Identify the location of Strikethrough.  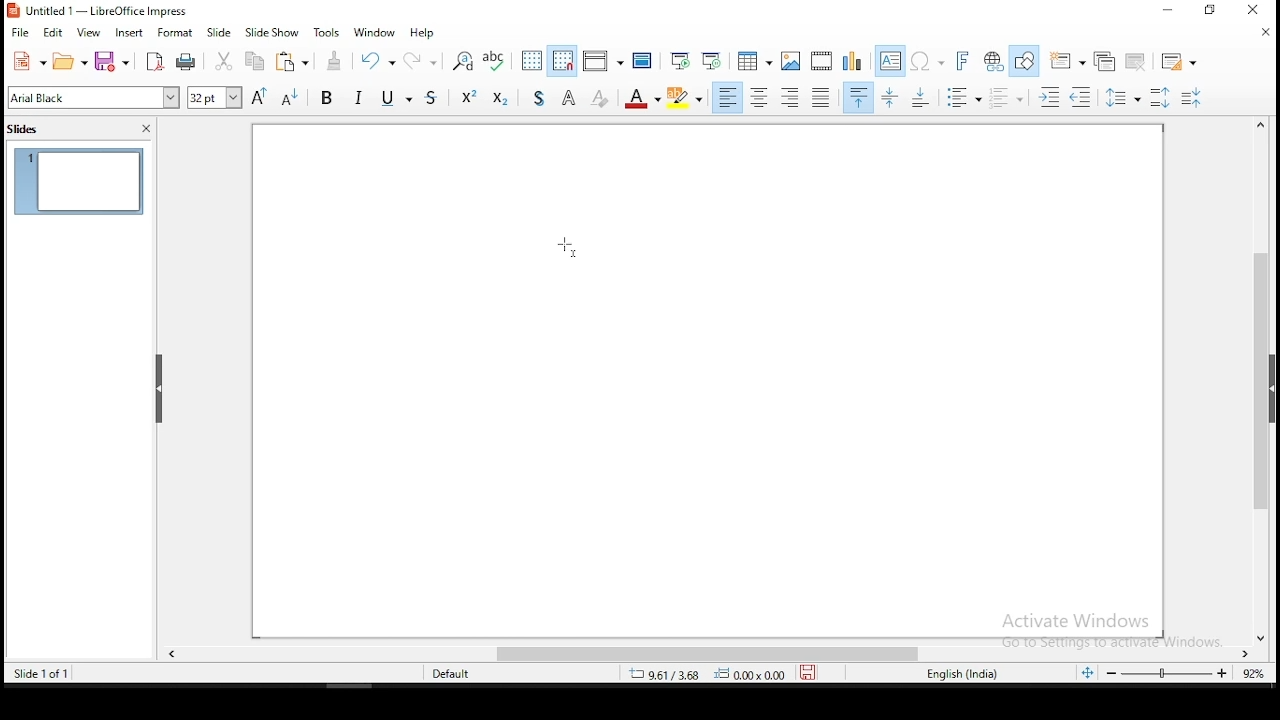
(433, 95).